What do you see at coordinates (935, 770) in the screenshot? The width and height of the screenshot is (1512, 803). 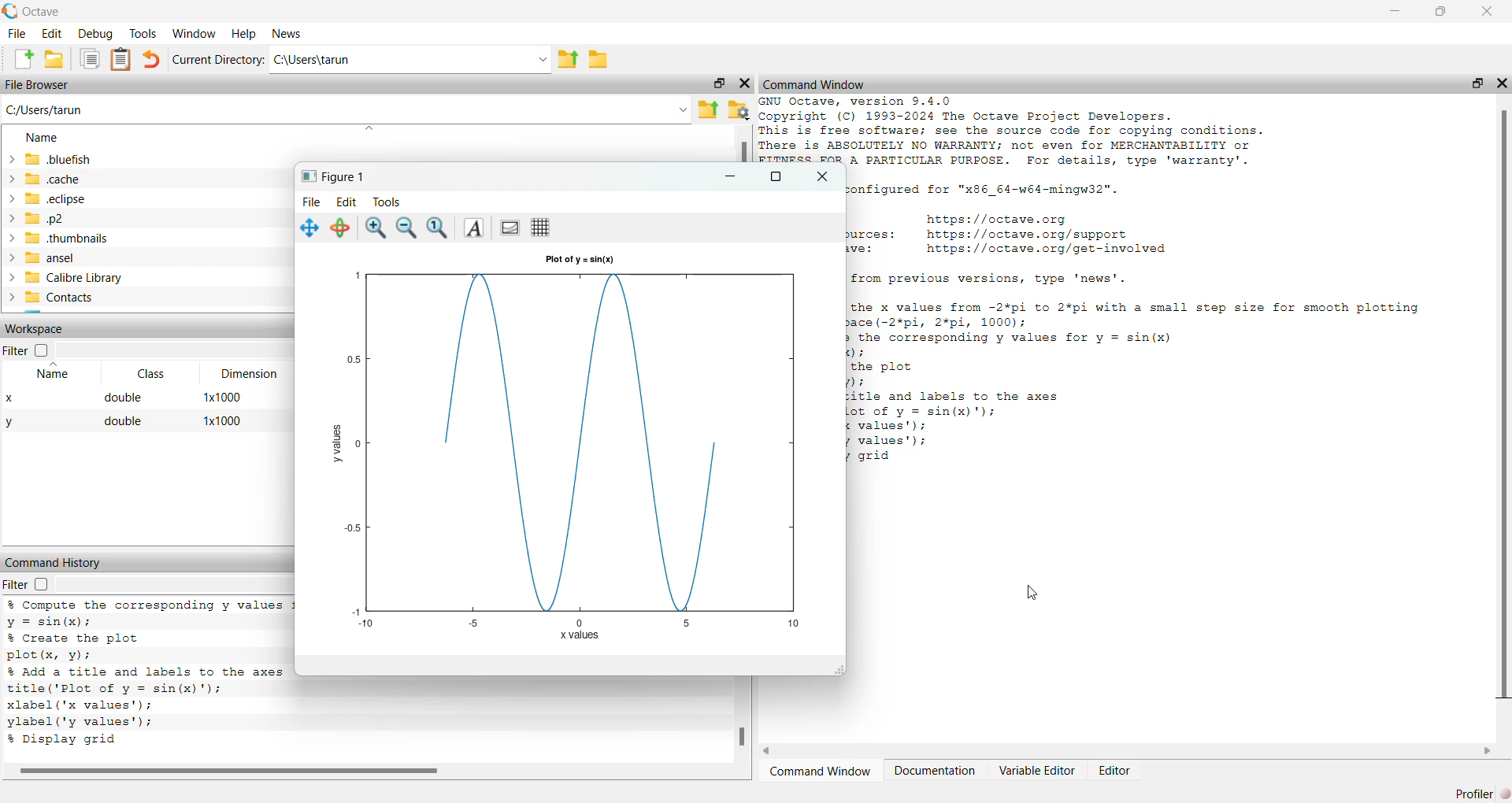 I see `Documentation` at bounding box center [935, 770].